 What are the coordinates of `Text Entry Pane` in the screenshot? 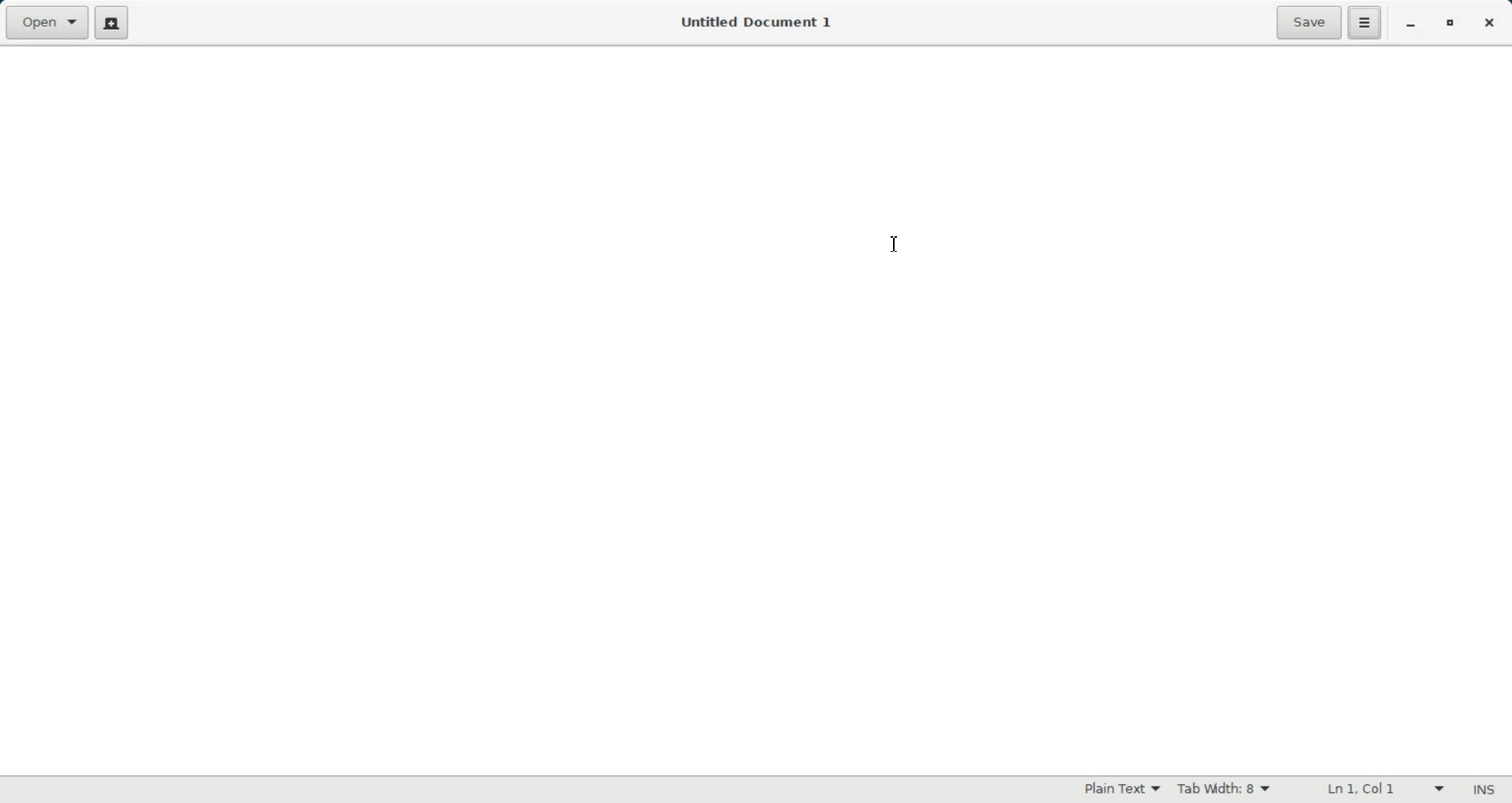 It's located at (753, 409).